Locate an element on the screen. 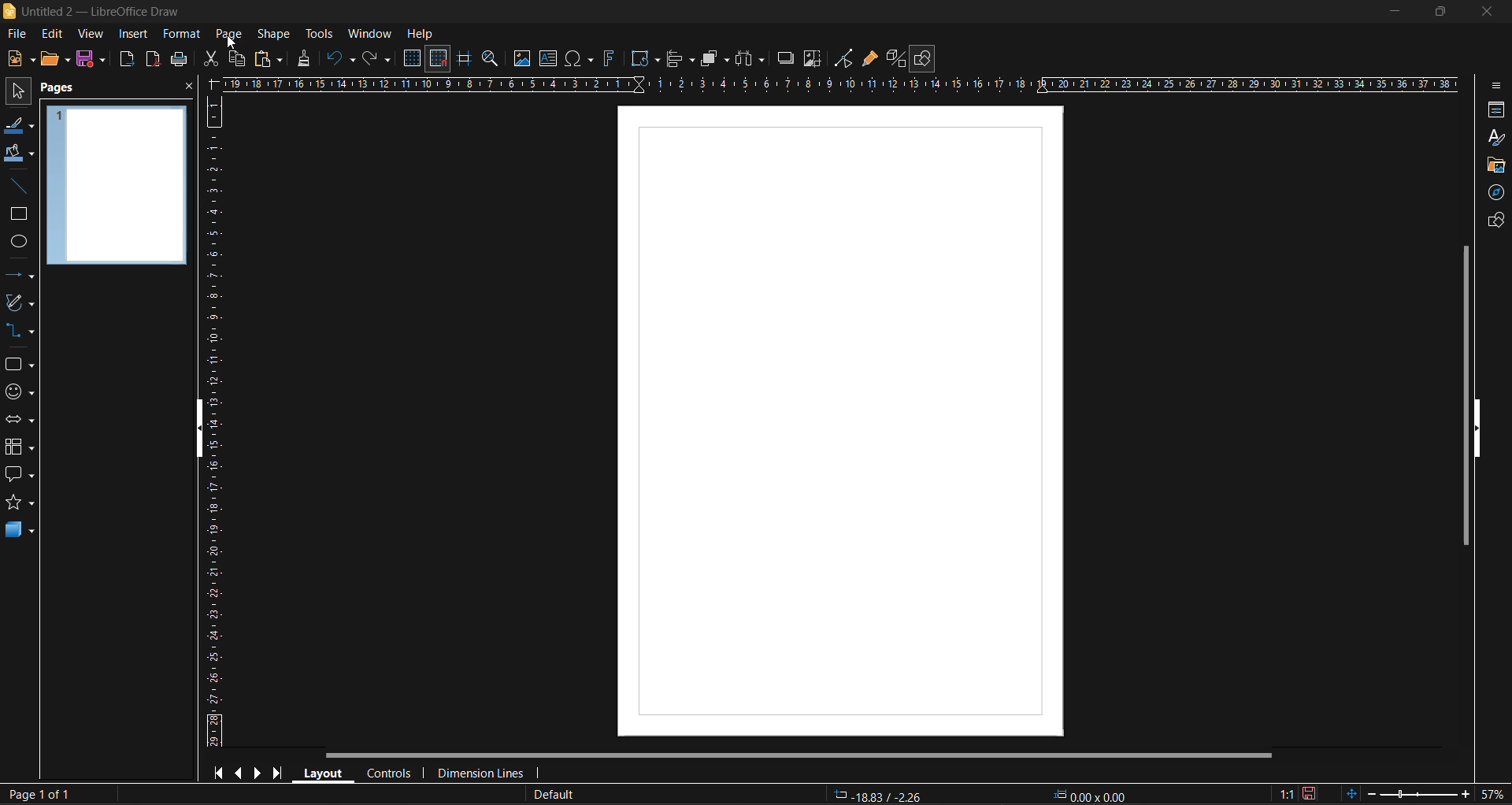  page preview is located at coordinates (117, 187).